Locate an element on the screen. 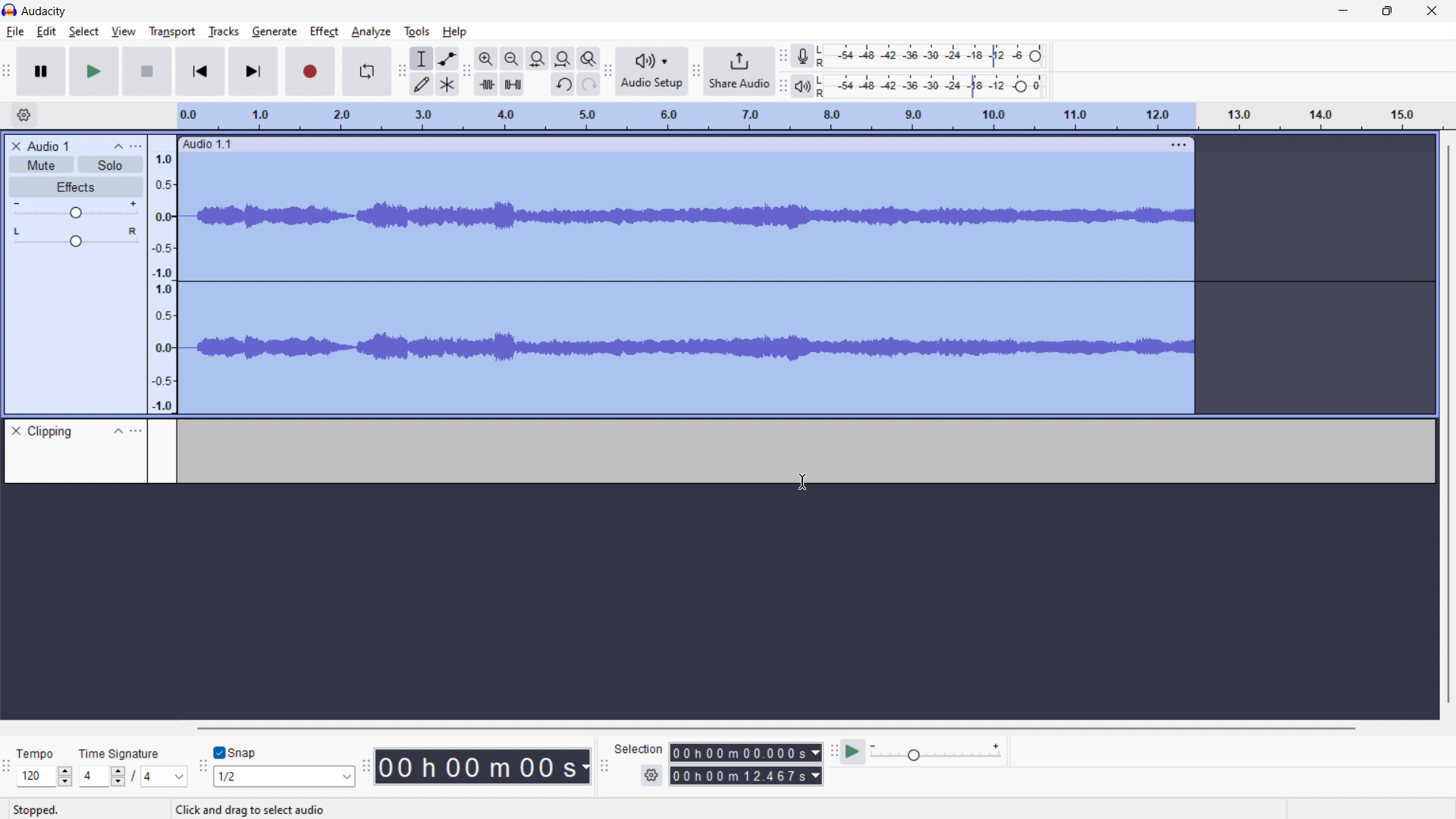 This screenshot has height=819, width=1456. minimize is located at coordinates (1341, 11).